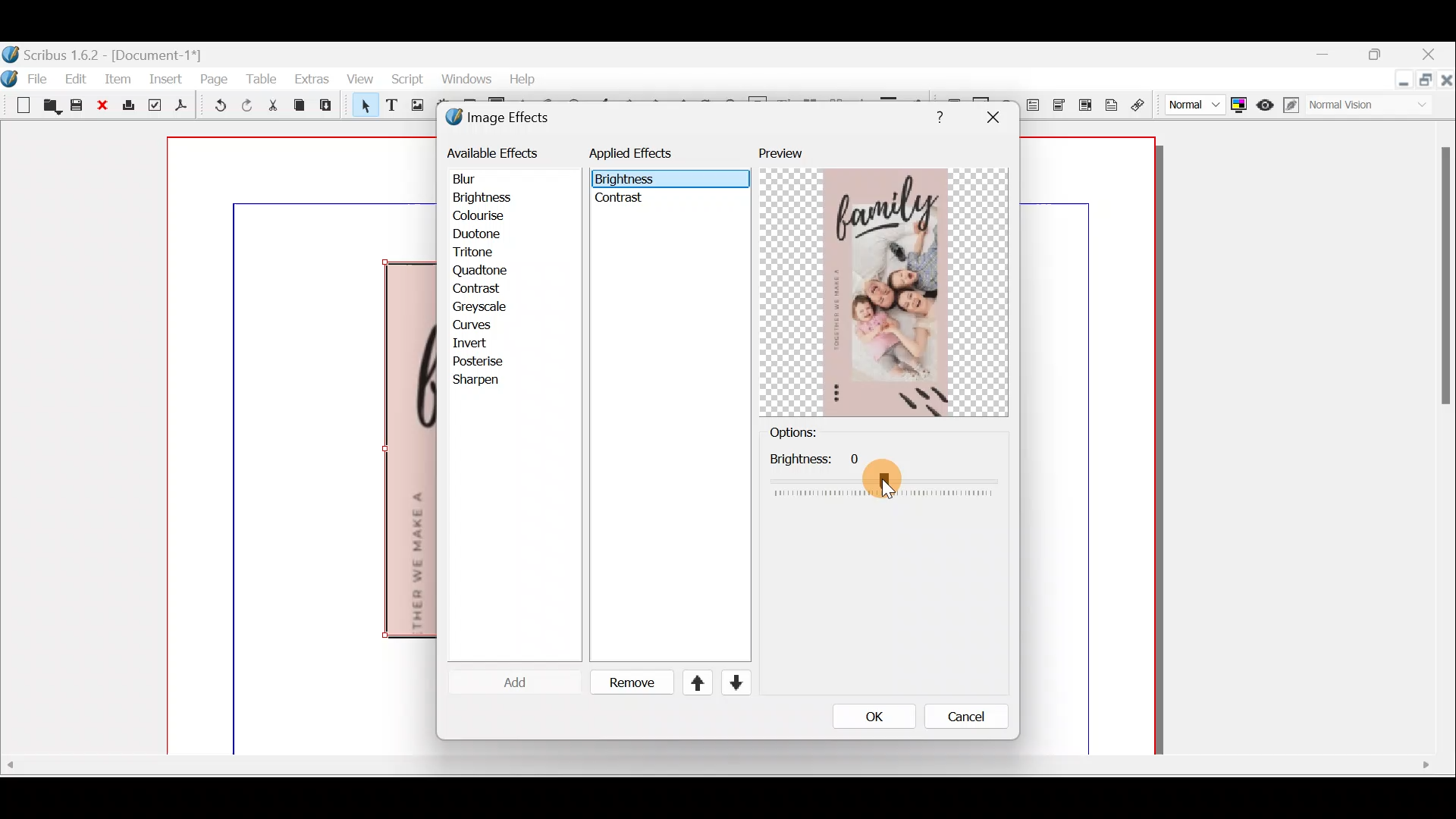 The width and height of the screenshot is (1456, 819). I want to click on Redo, so click(246, 105).